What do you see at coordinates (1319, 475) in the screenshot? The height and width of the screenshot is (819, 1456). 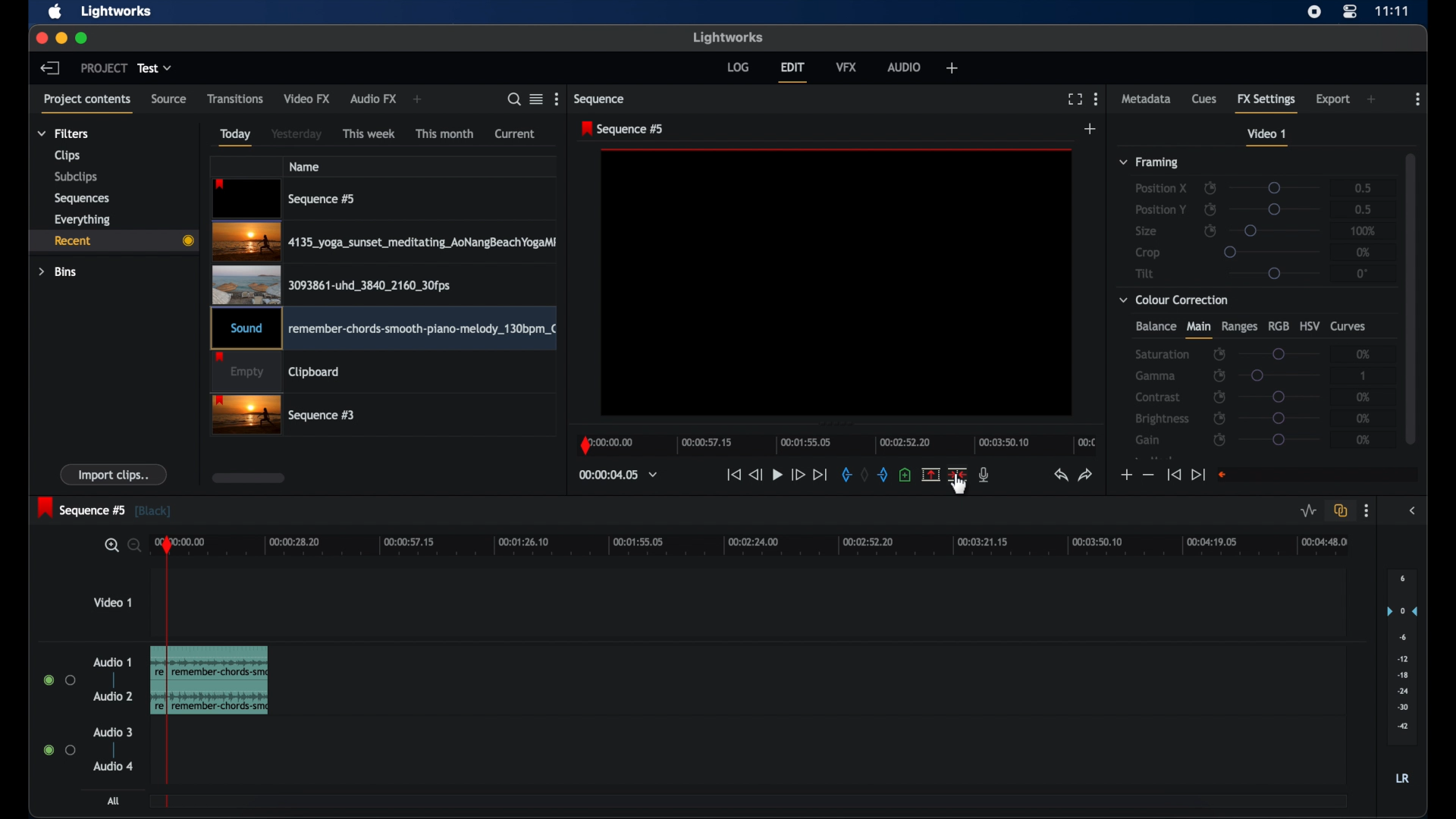 I see `empty field` at bounding box center [1319, 475].